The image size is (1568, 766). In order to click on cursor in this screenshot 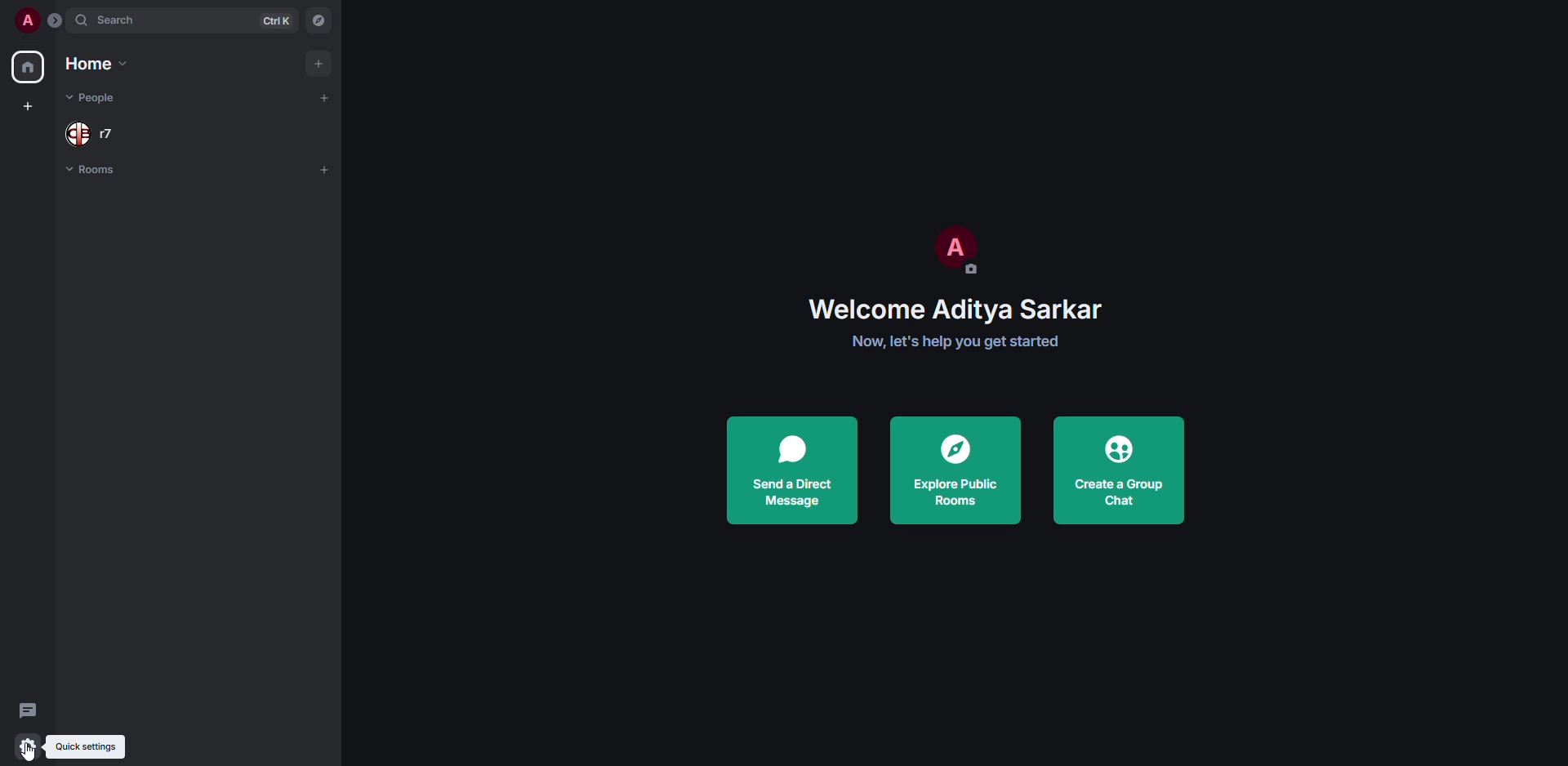, I will do `click(34, 750)`.